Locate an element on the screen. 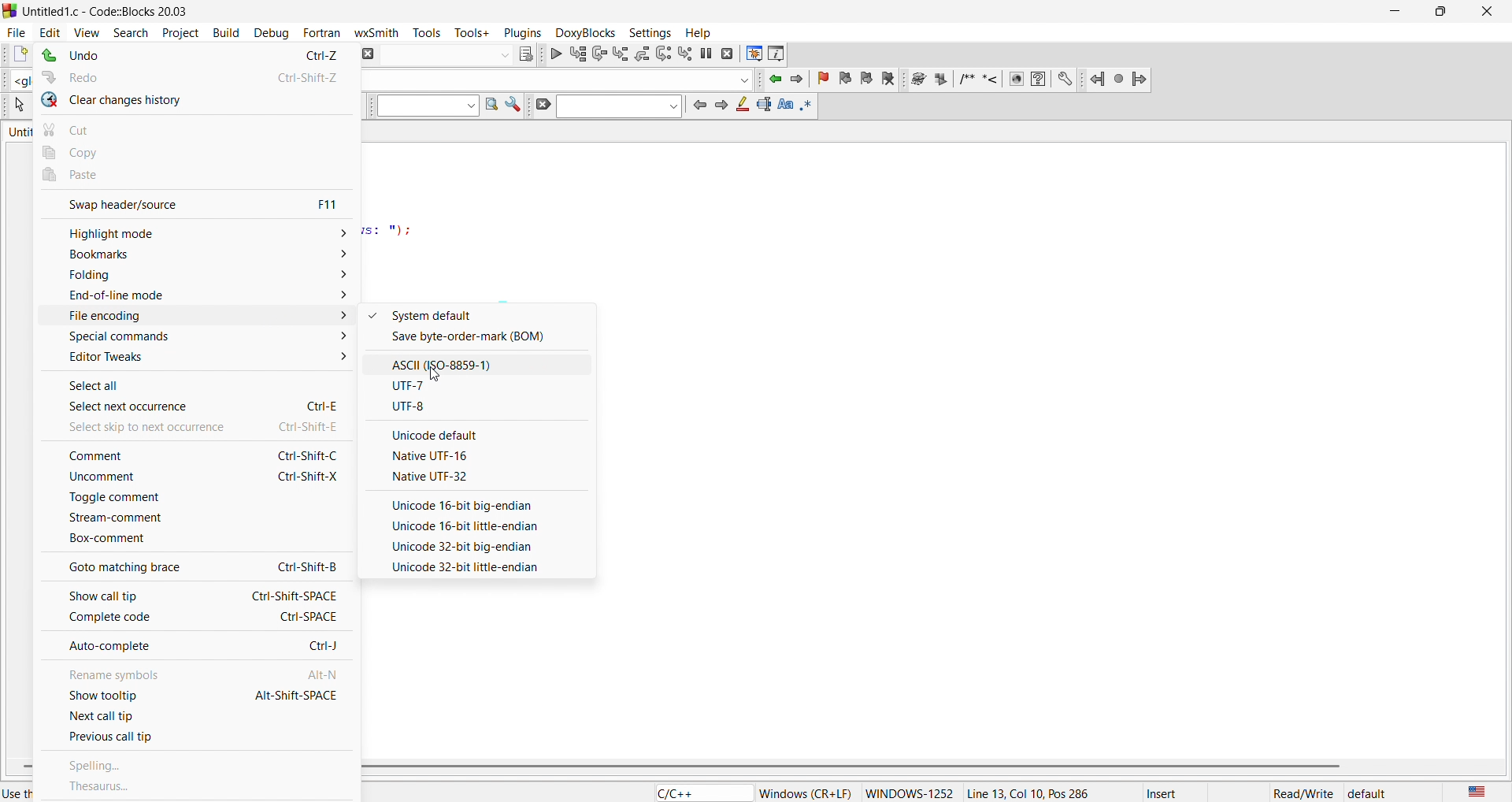 This screenshot has height=802, width=1512. next bookmark is located at coordinates (865, 80).